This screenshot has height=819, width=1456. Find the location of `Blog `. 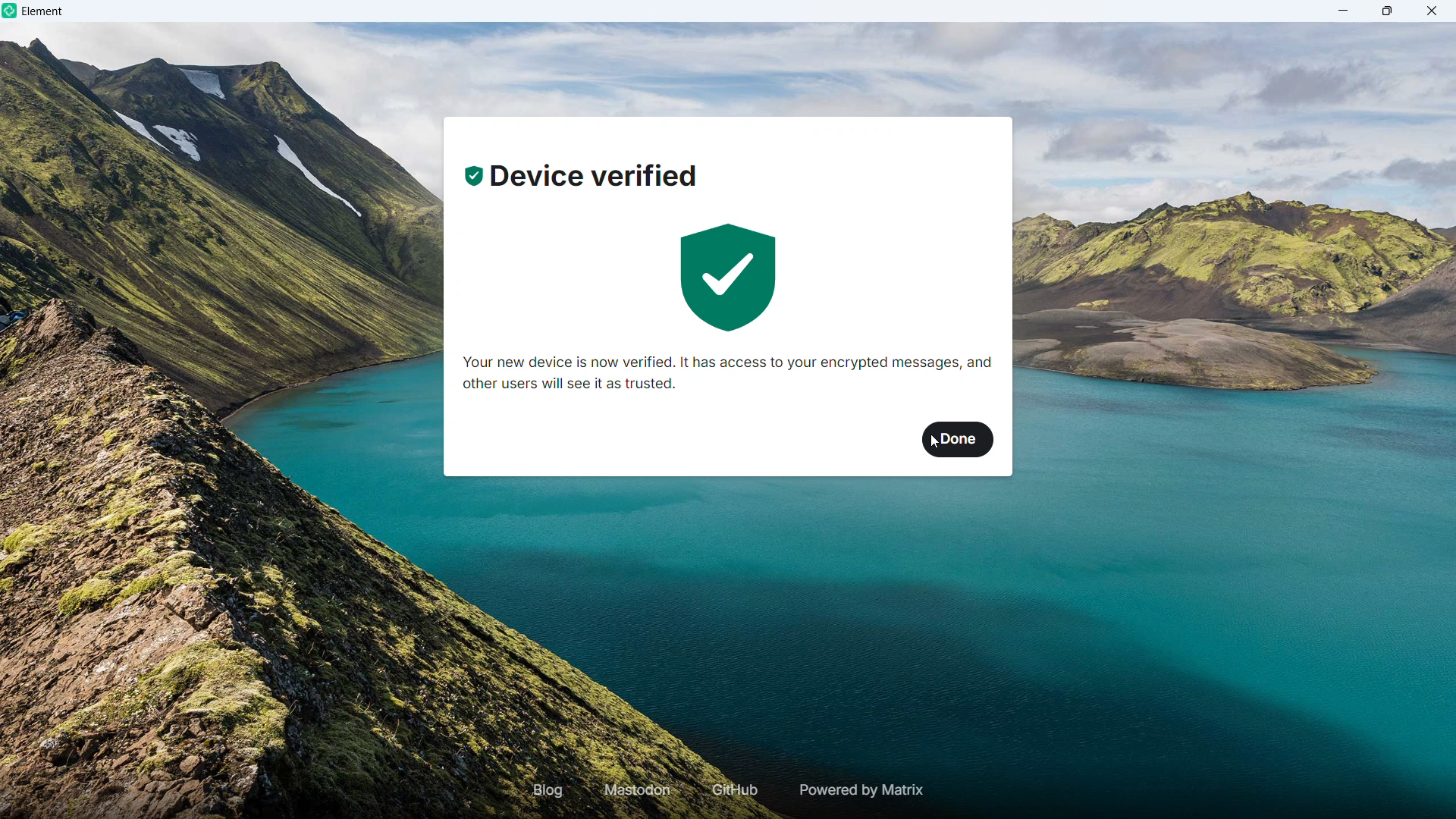

Blog  is located at coordinates (548, 789).